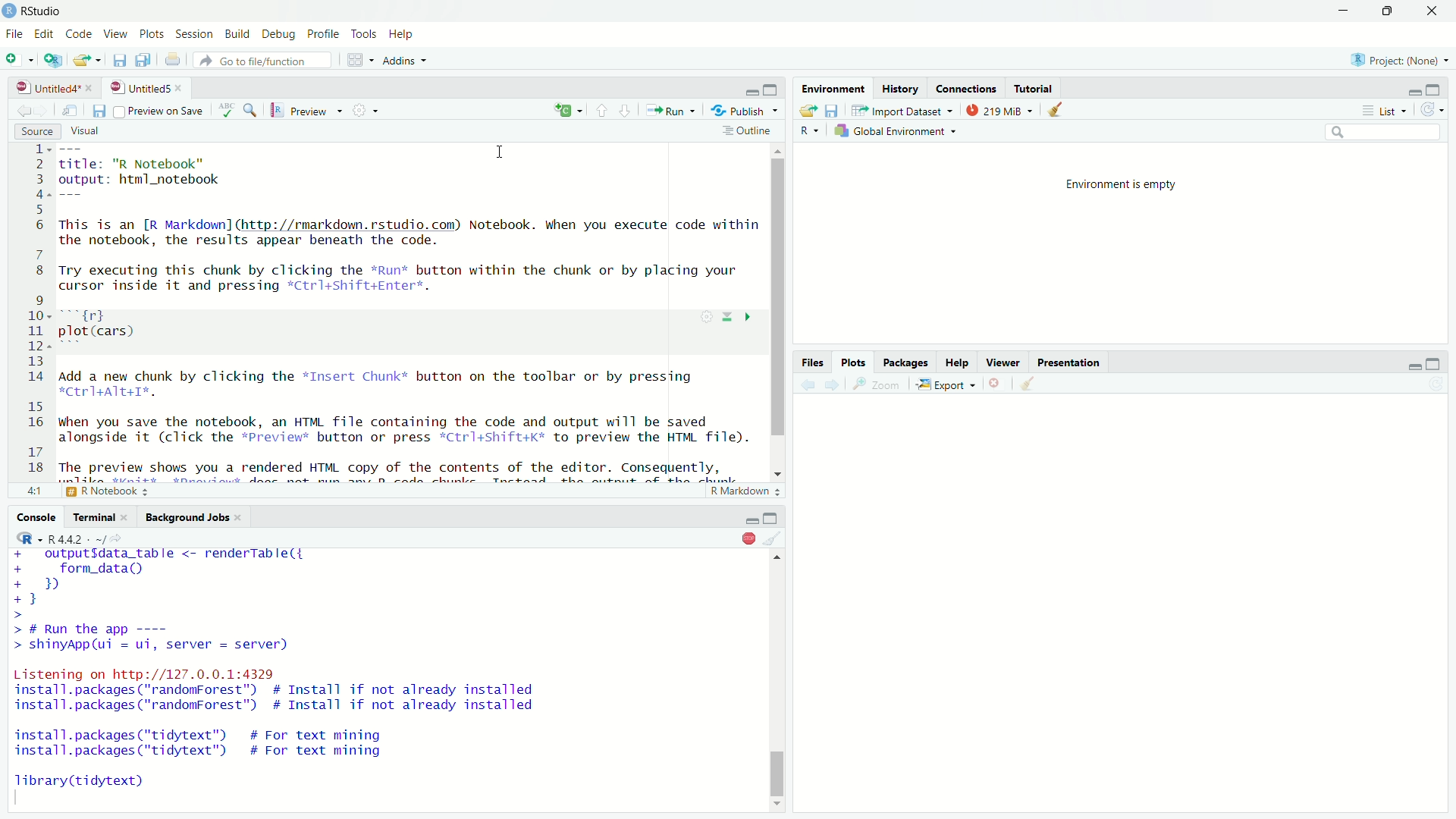 This screenshot has width=1456, height=819. Describe the element at coordinates (30, 538) in the screenshot. I see `Currently language used - R` at that location.